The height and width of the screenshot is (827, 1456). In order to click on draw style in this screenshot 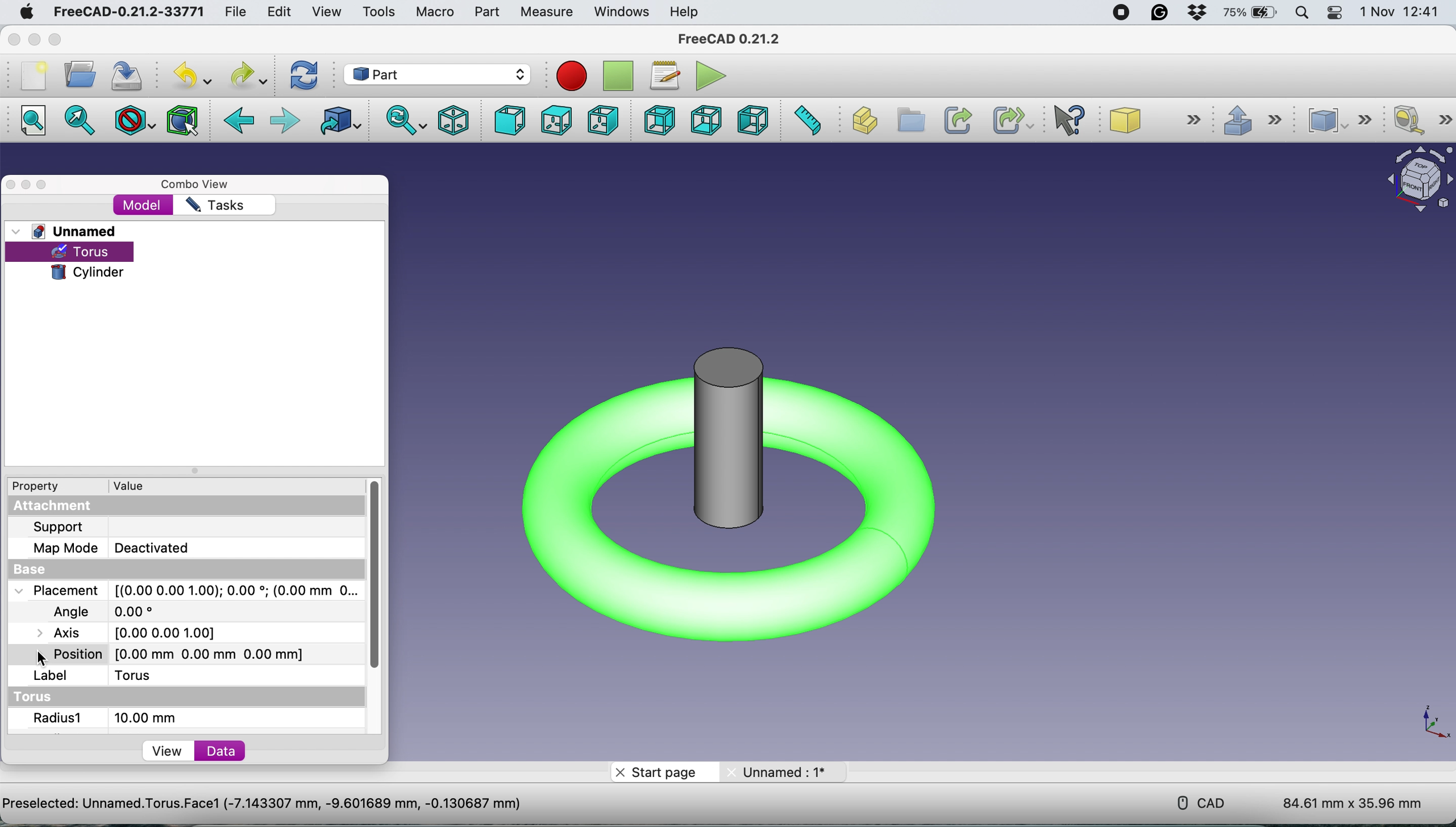, I will do `click(137, 119)`.